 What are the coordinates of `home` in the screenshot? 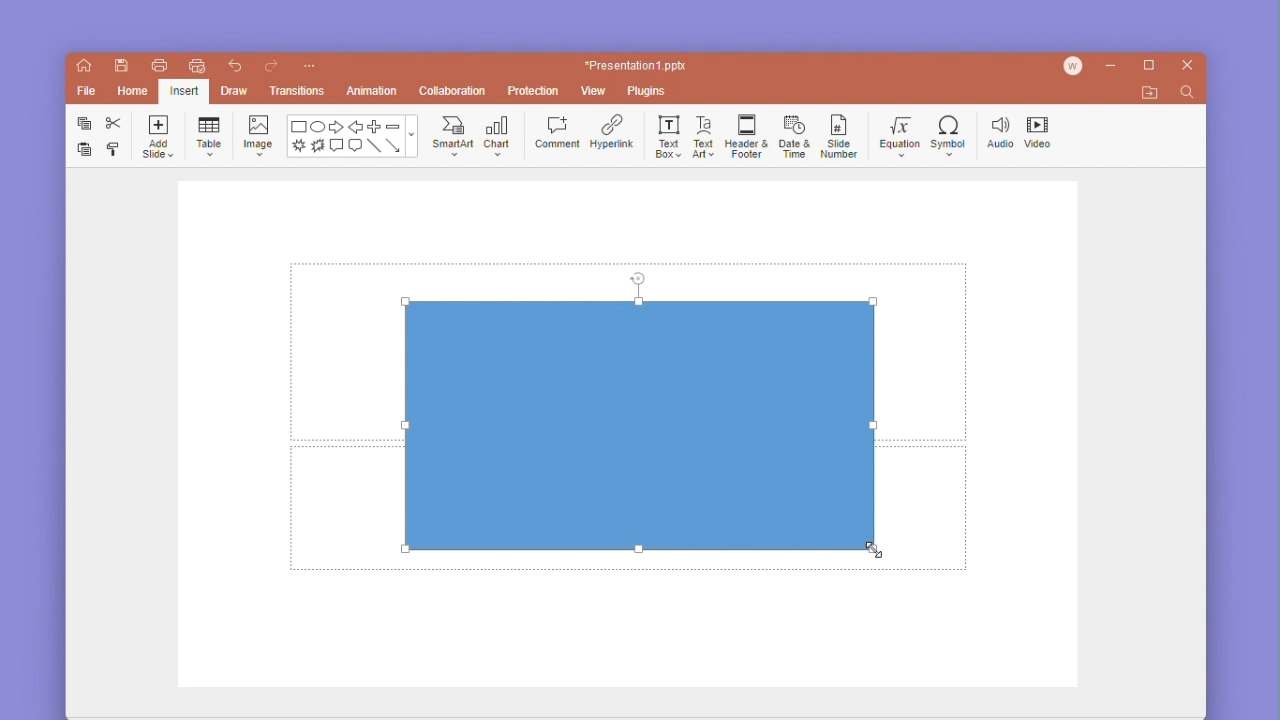 It's located at (129, 93).